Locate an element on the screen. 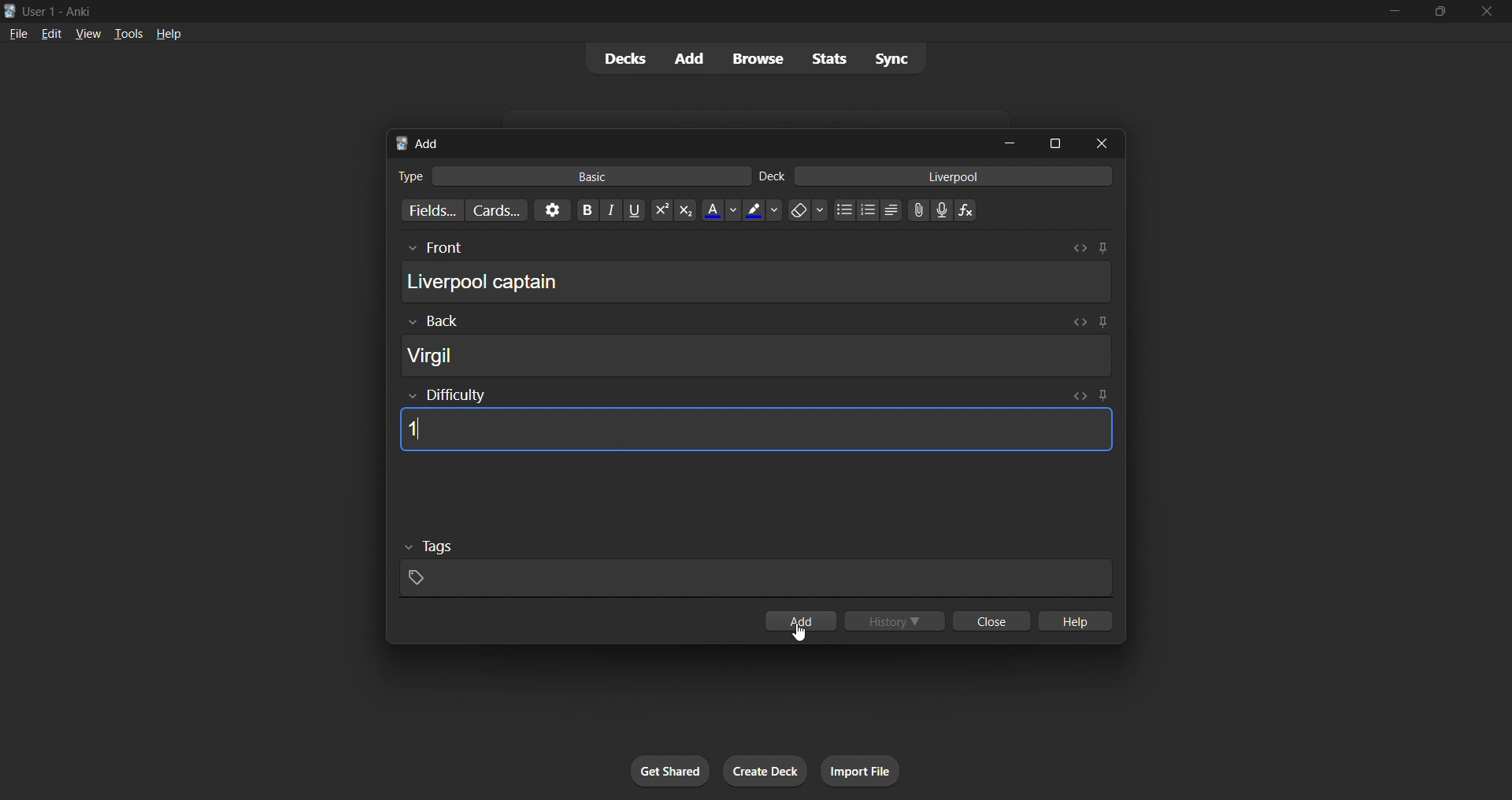 The image size is (1512, 800). Anki logo is located at coordinates (10, 11).